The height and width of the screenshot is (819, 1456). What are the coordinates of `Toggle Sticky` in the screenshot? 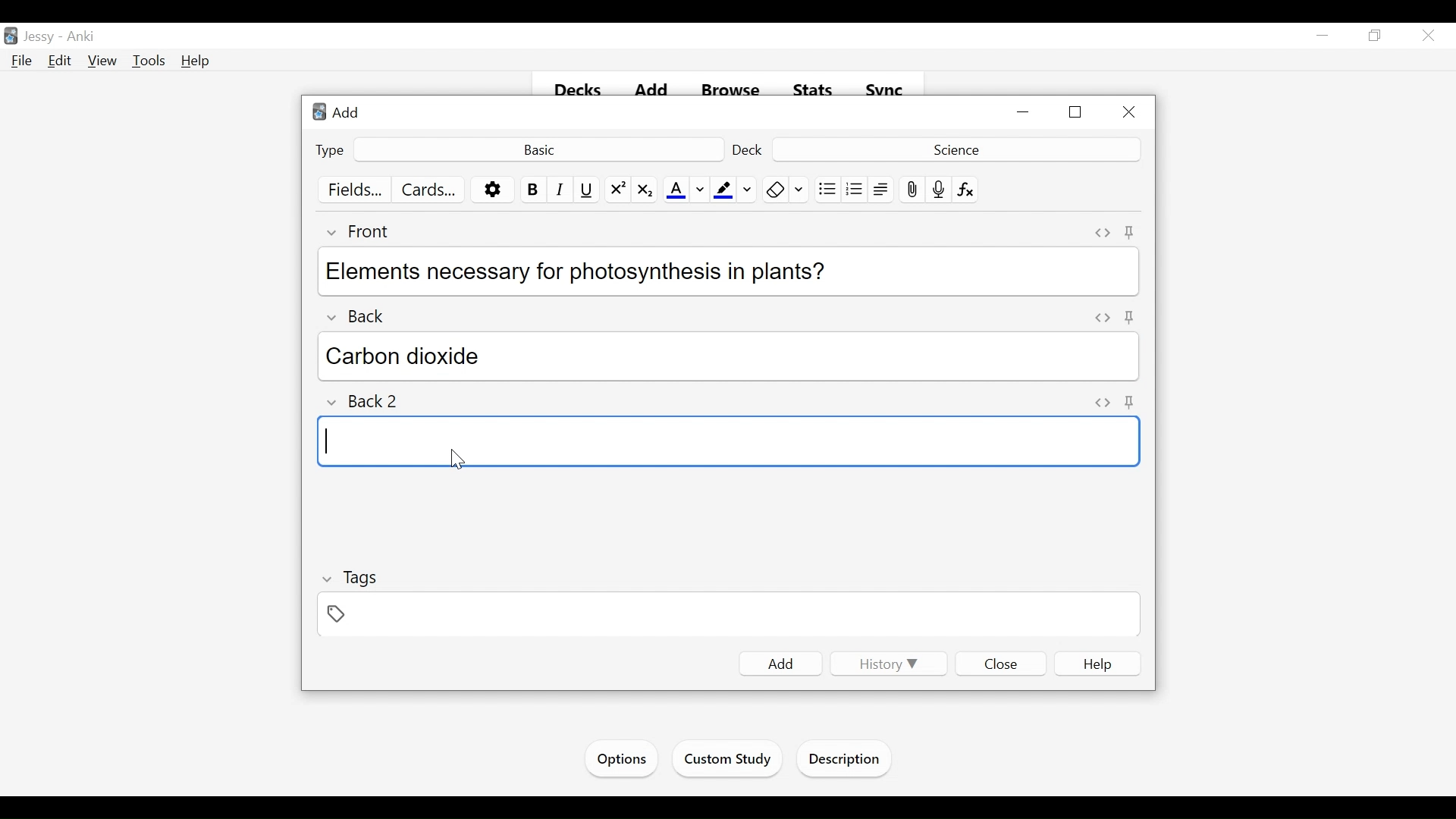 It's located at (1130, 232).